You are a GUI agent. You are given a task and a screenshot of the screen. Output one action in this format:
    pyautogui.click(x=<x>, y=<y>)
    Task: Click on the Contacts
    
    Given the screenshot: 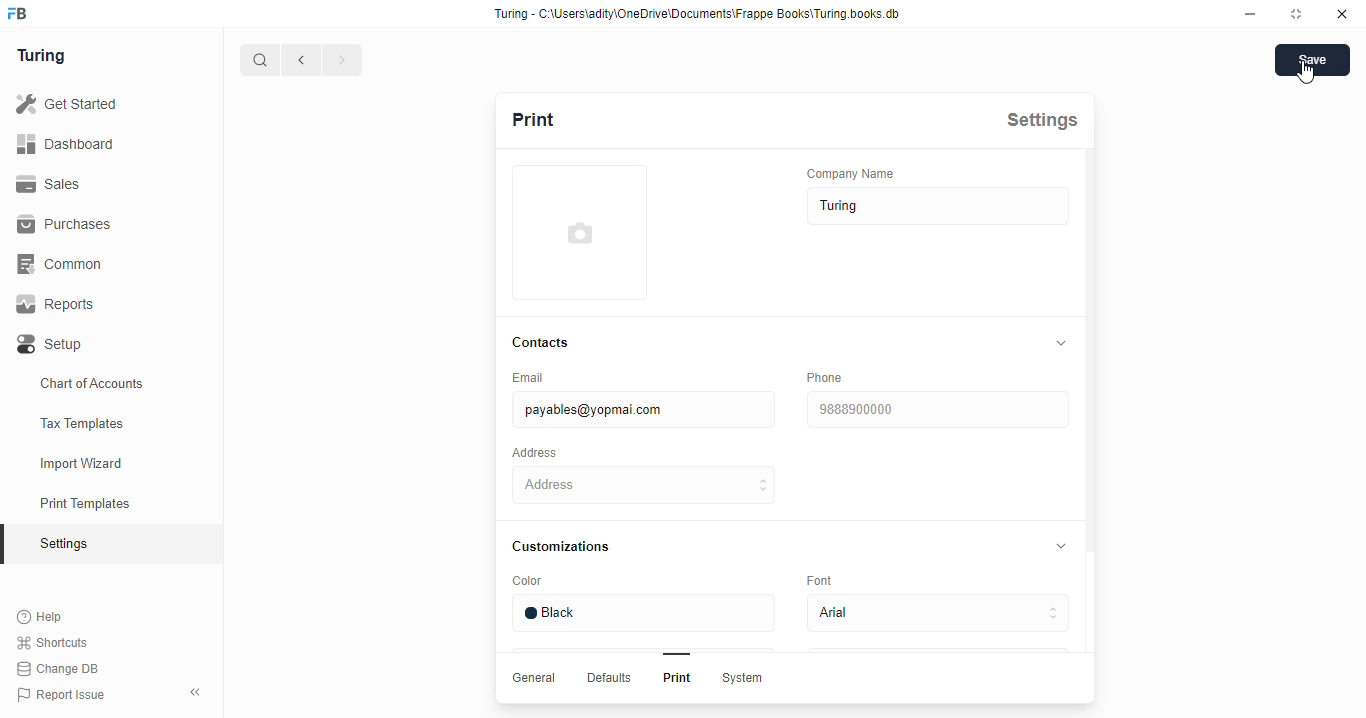 What is the action you would take?
    pyautogui.click(x=547, y=341)
    